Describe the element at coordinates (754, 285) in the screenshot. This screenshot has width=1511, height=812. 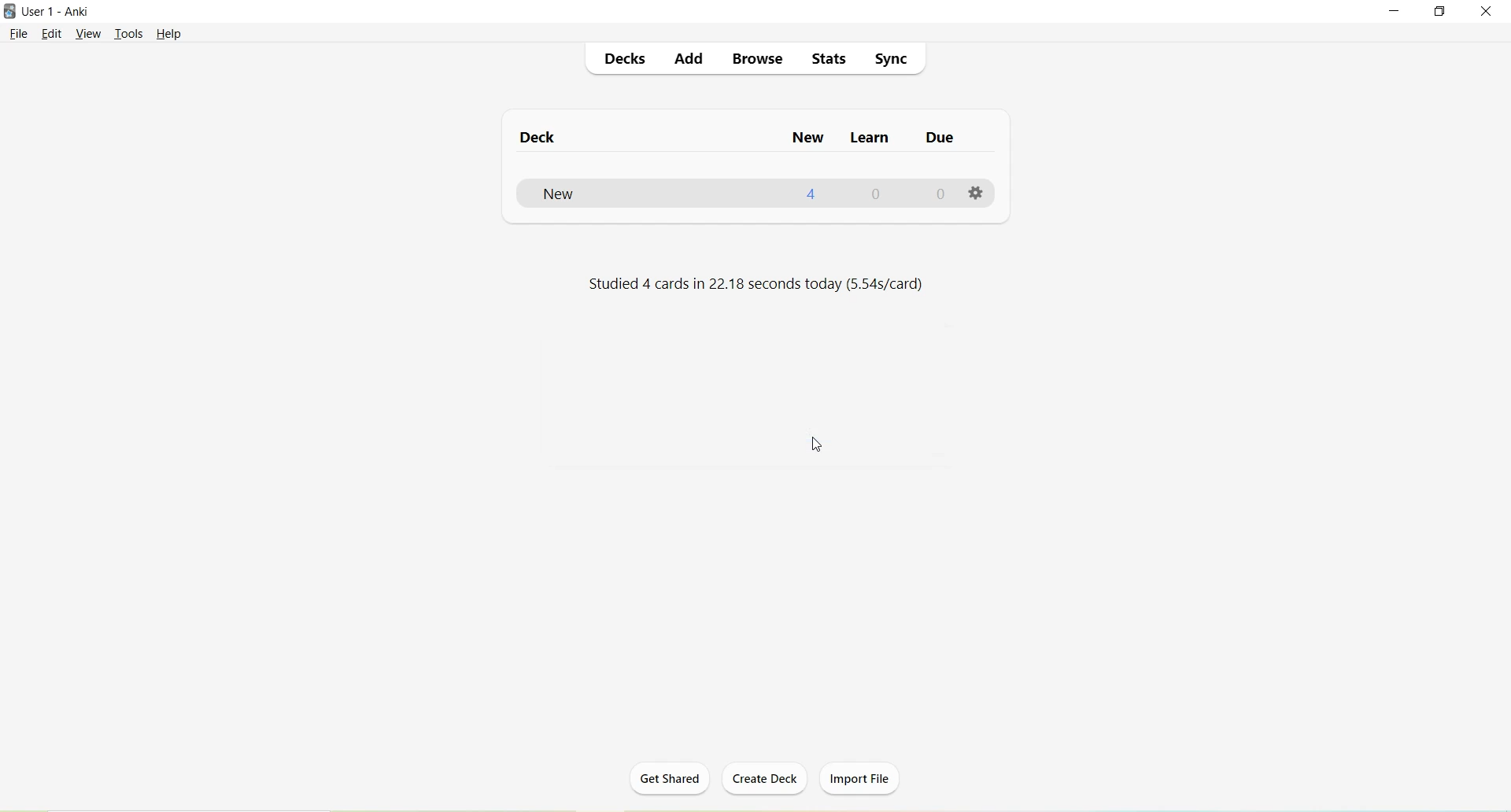
I see `Studied 4 cards in 22.18 seconds today (5.54s/card)` at that location.